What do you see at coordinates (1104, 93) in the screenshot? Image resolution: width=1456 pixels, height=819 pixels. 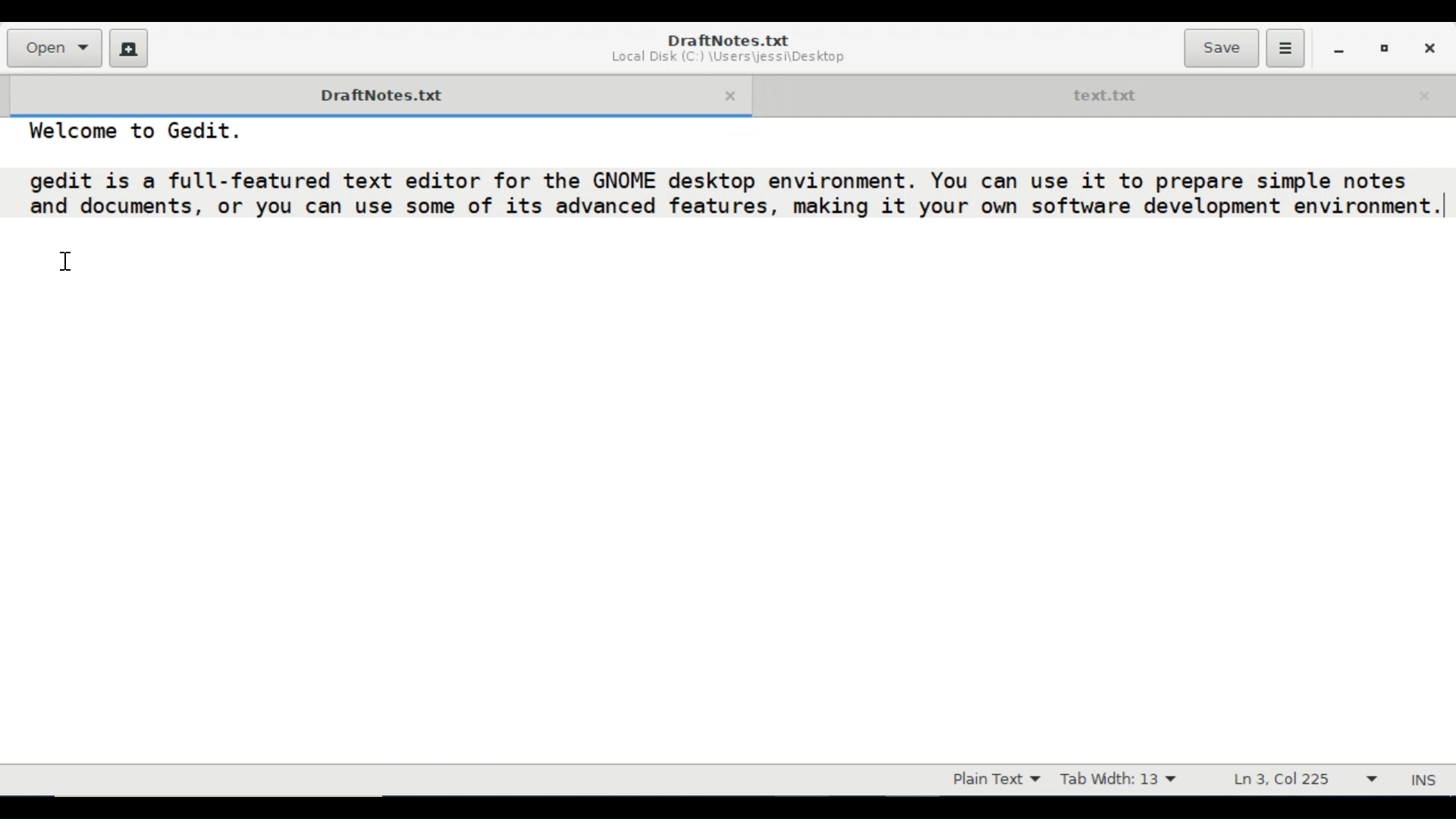 I see `Open Tab` at bounding box center [1104, 93].